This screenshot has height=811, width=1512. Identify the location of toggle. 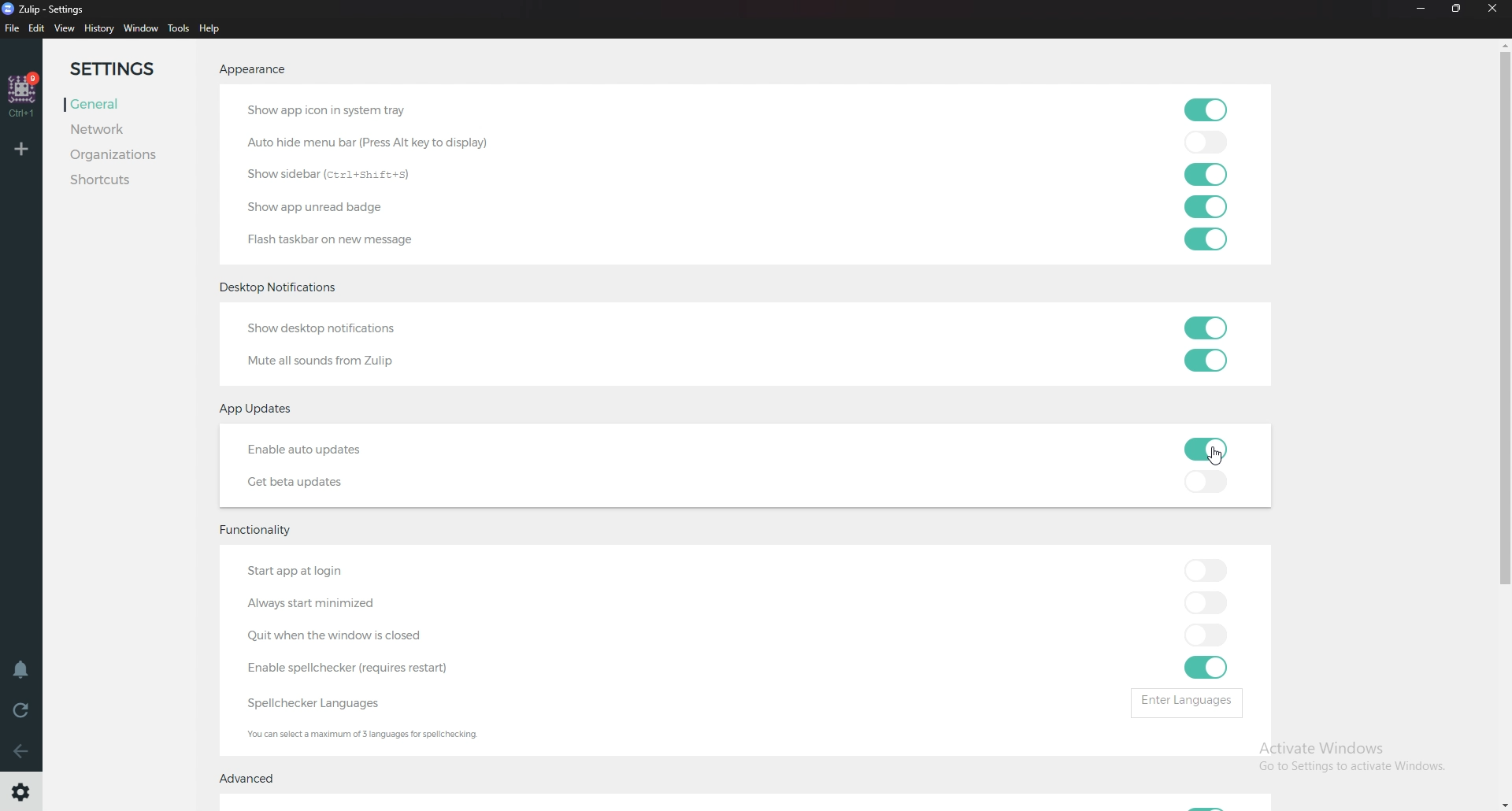
(1210, 111).